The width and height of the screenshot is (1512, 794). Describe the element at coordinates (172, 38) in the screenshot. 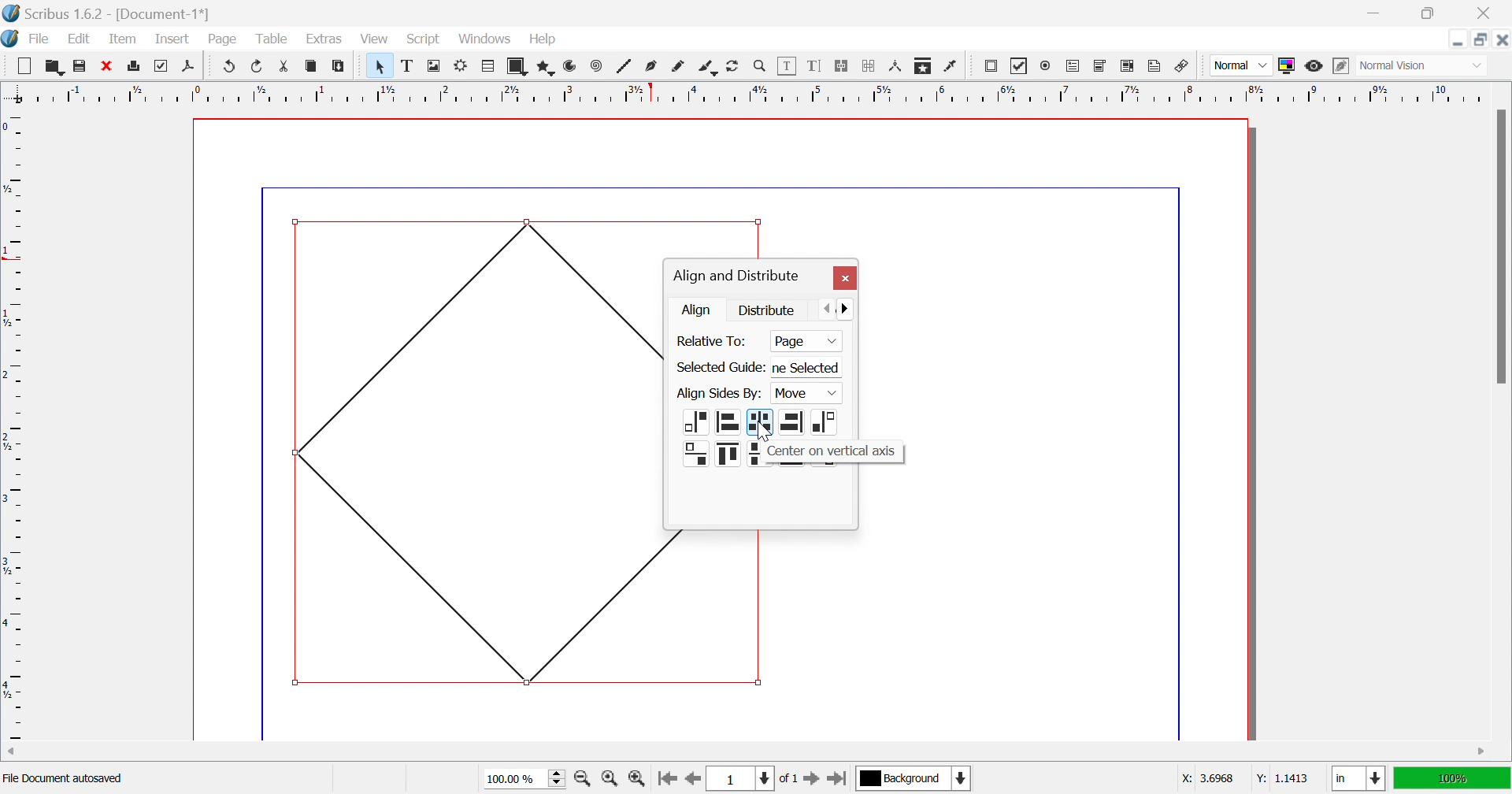

I see `Insert` at that location.